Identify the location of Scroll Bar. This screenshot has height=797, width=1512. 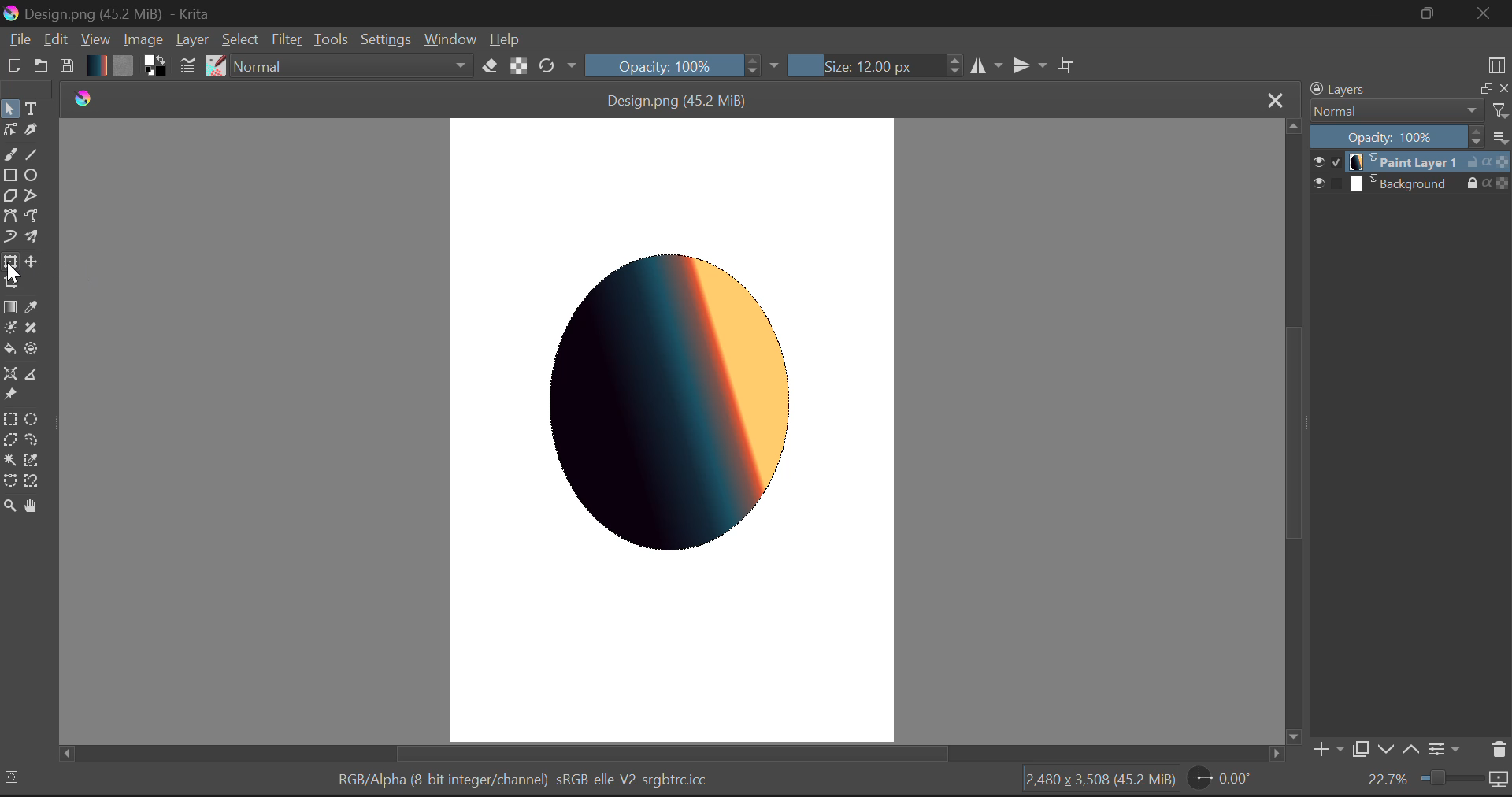
(675, 754).